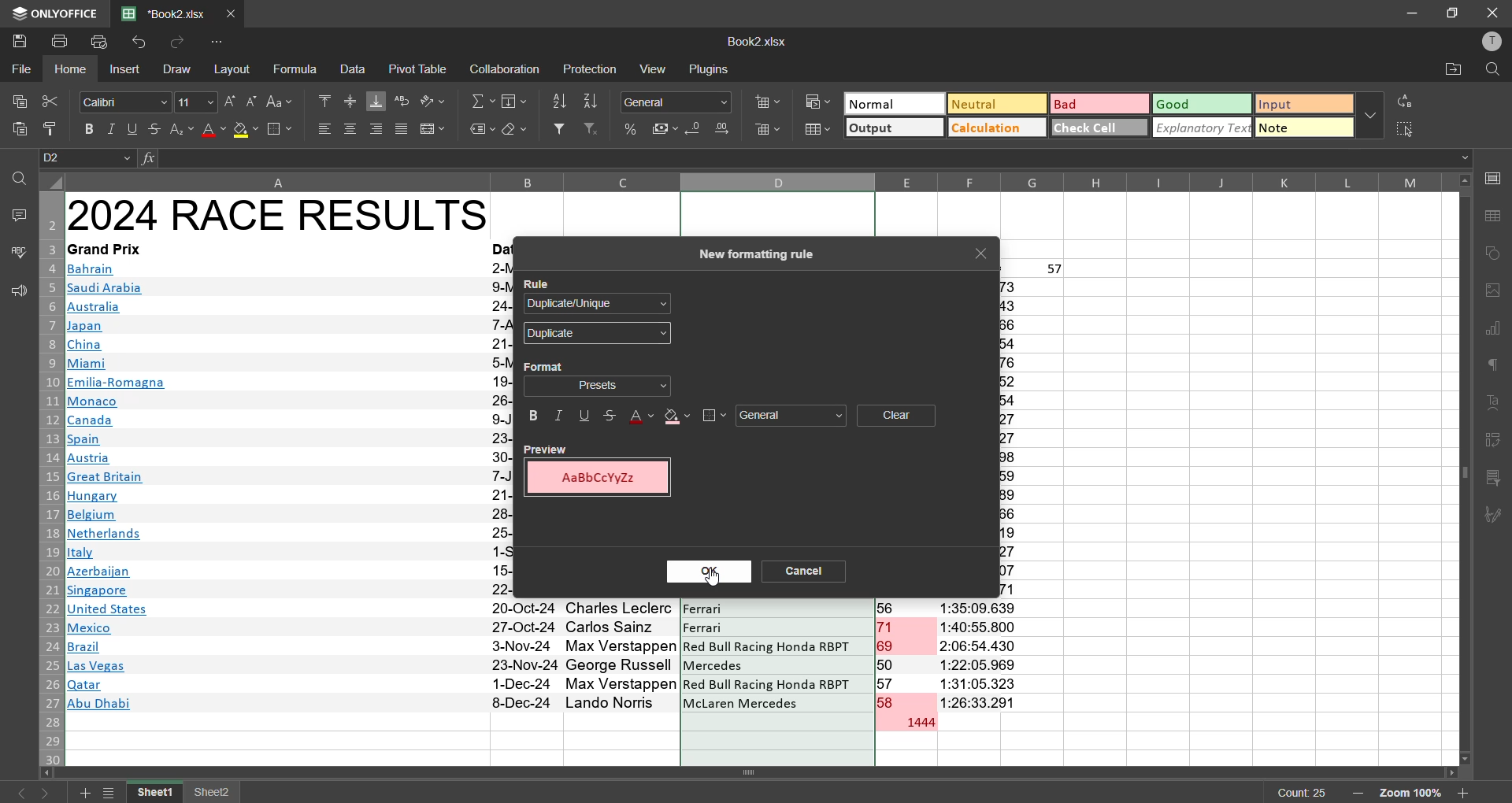  Describe the element at coordinates (906, 657) in the screenshot. I see `laps` at that location.